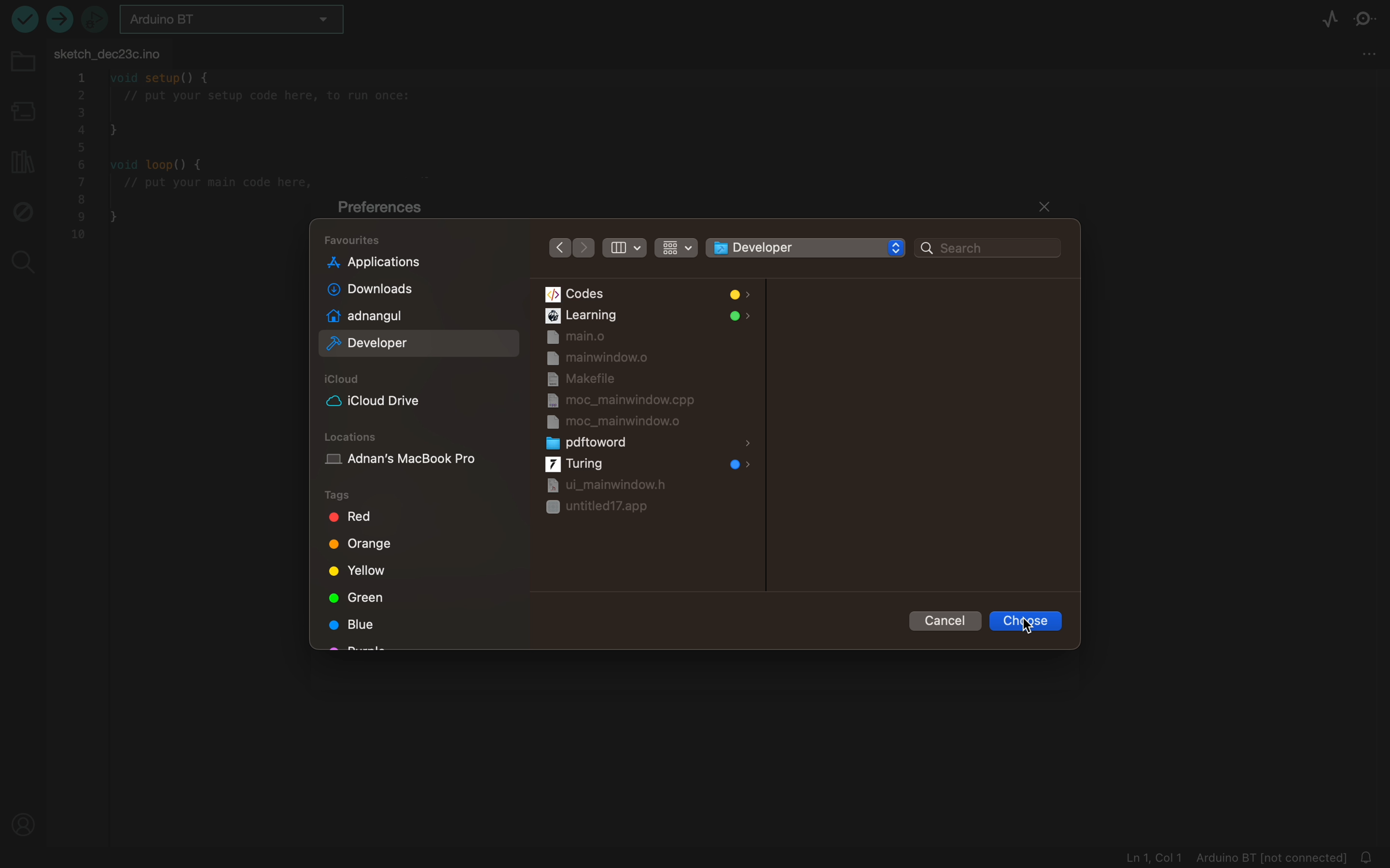  Describe the element at coordinates (350, 625) in the screenshot. I see `blue` at that location.